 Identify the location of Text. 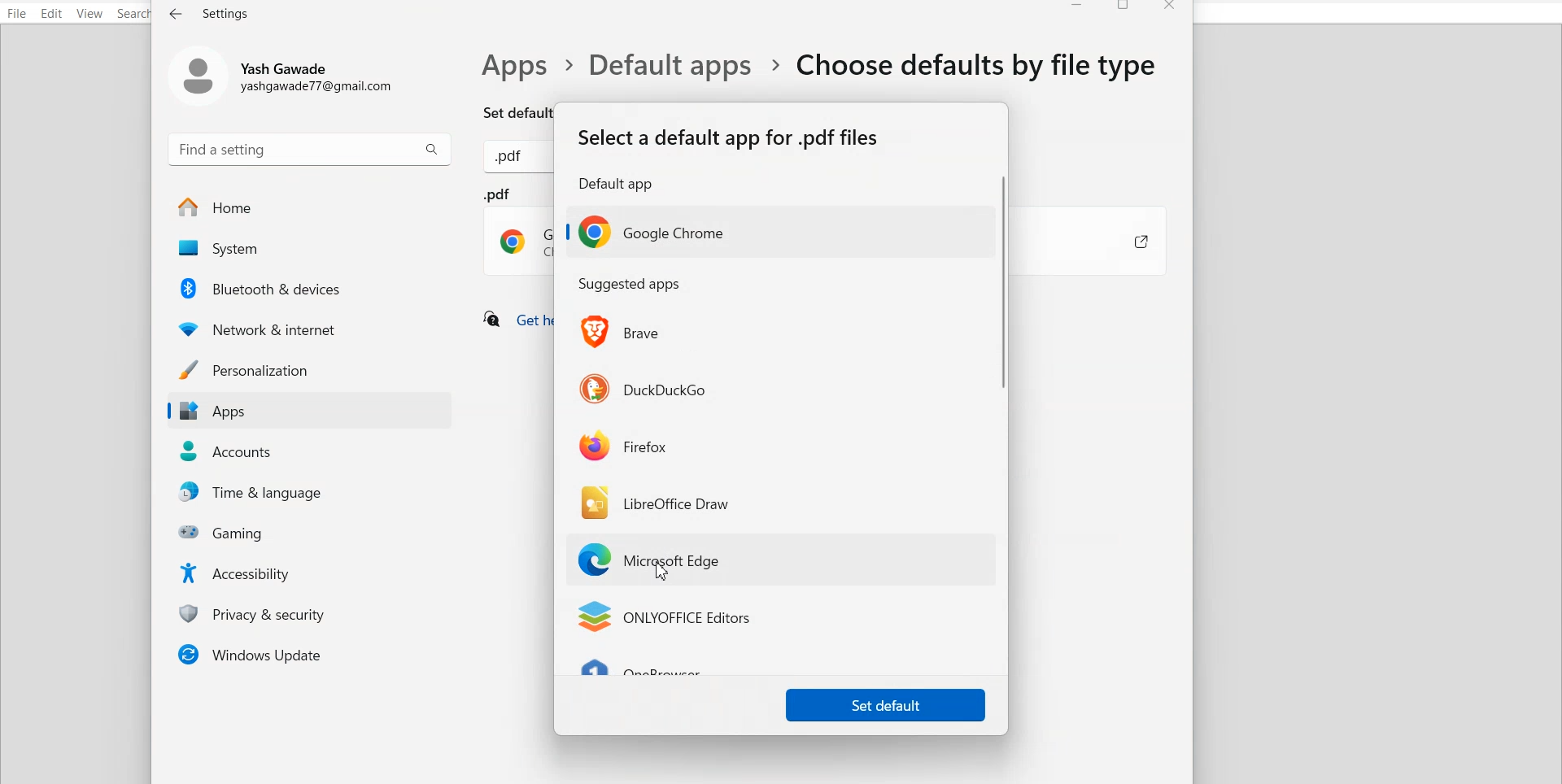
(630, 285).